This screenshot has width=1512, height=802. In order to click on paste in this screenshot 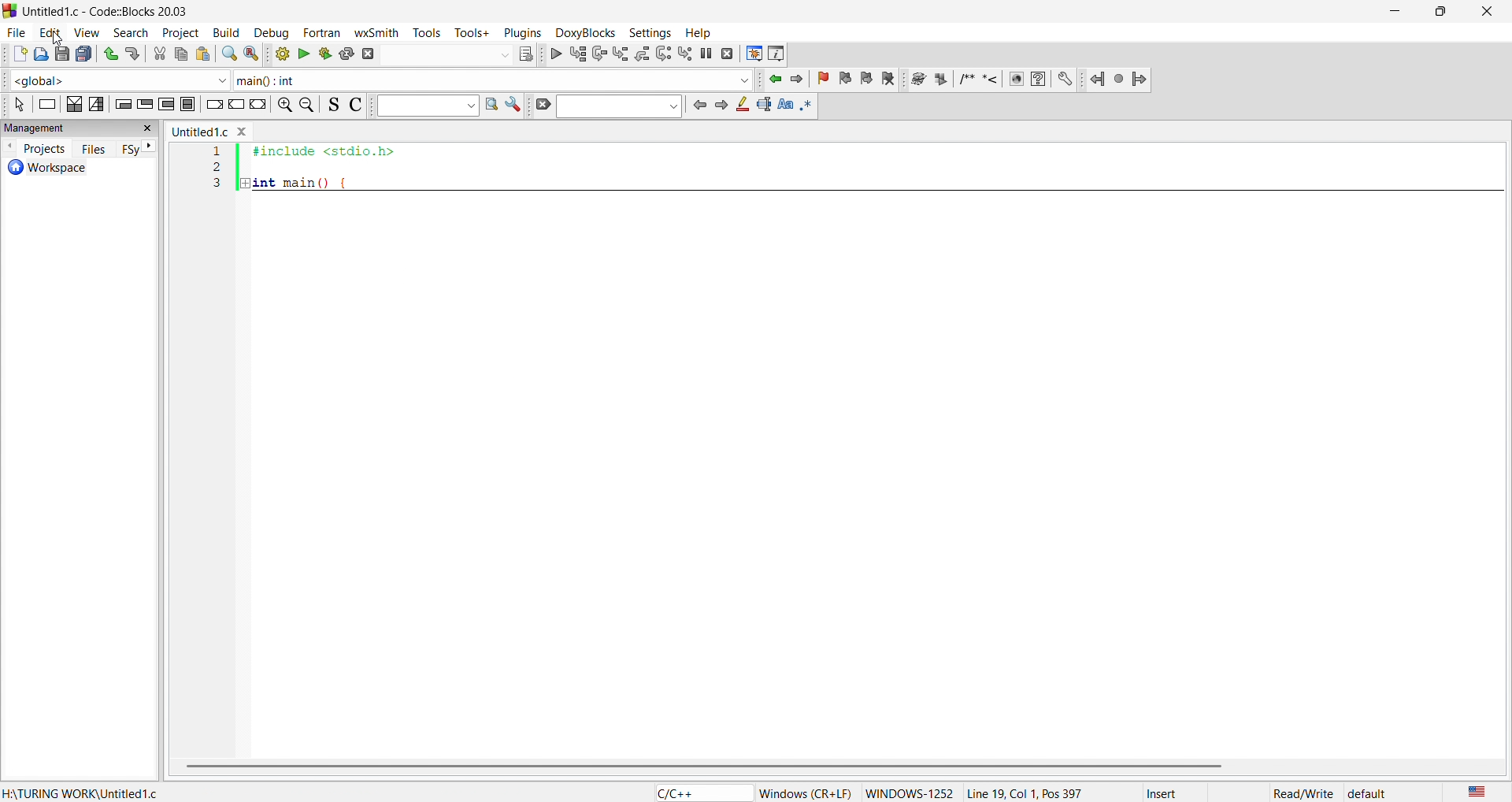, I will do `click(203, 54)`.